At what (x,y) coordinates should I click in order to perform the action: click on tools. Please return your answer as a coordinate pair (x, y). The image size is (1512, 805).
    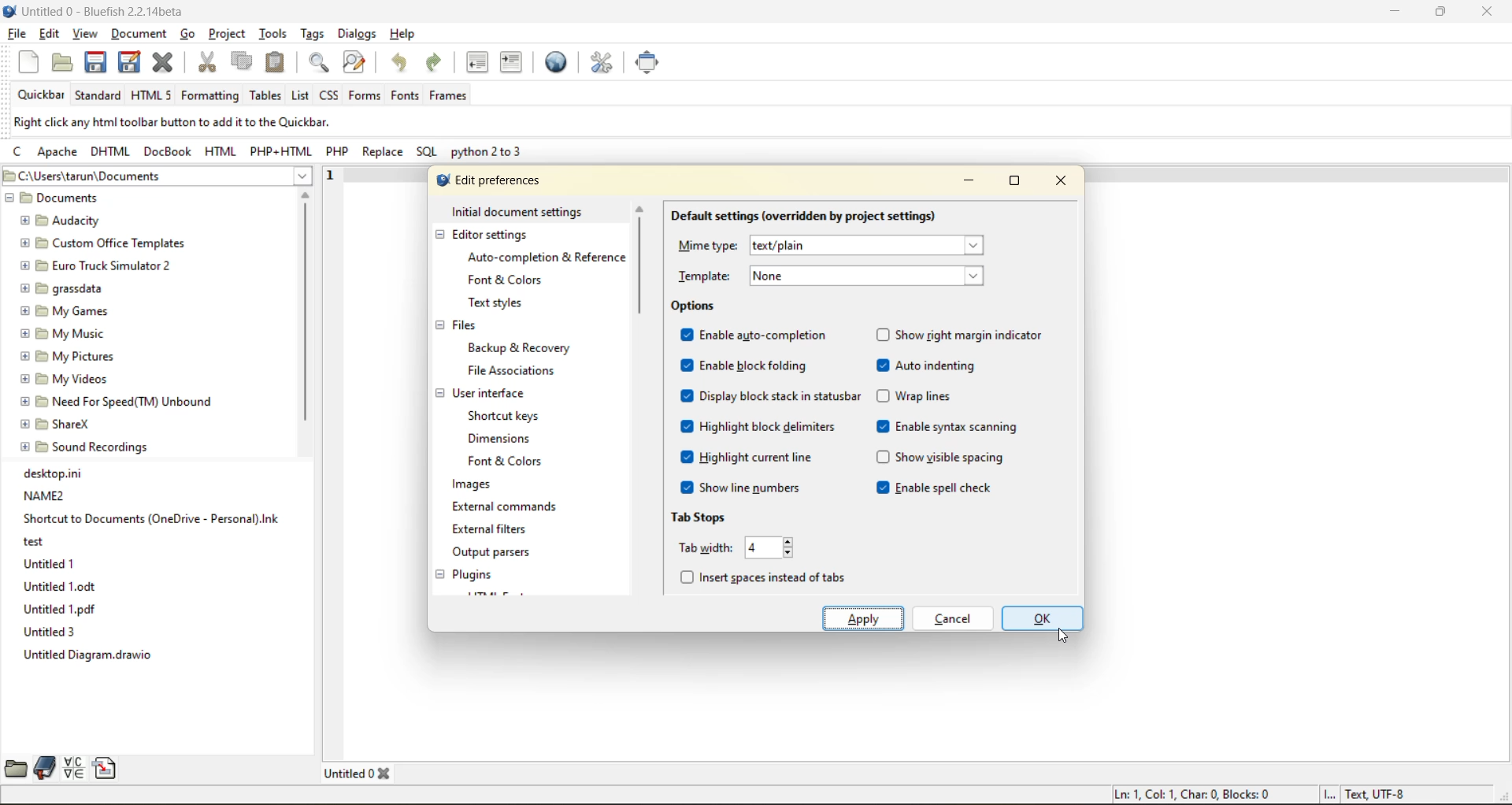
    Looking at the image, I should click on (274, 33).